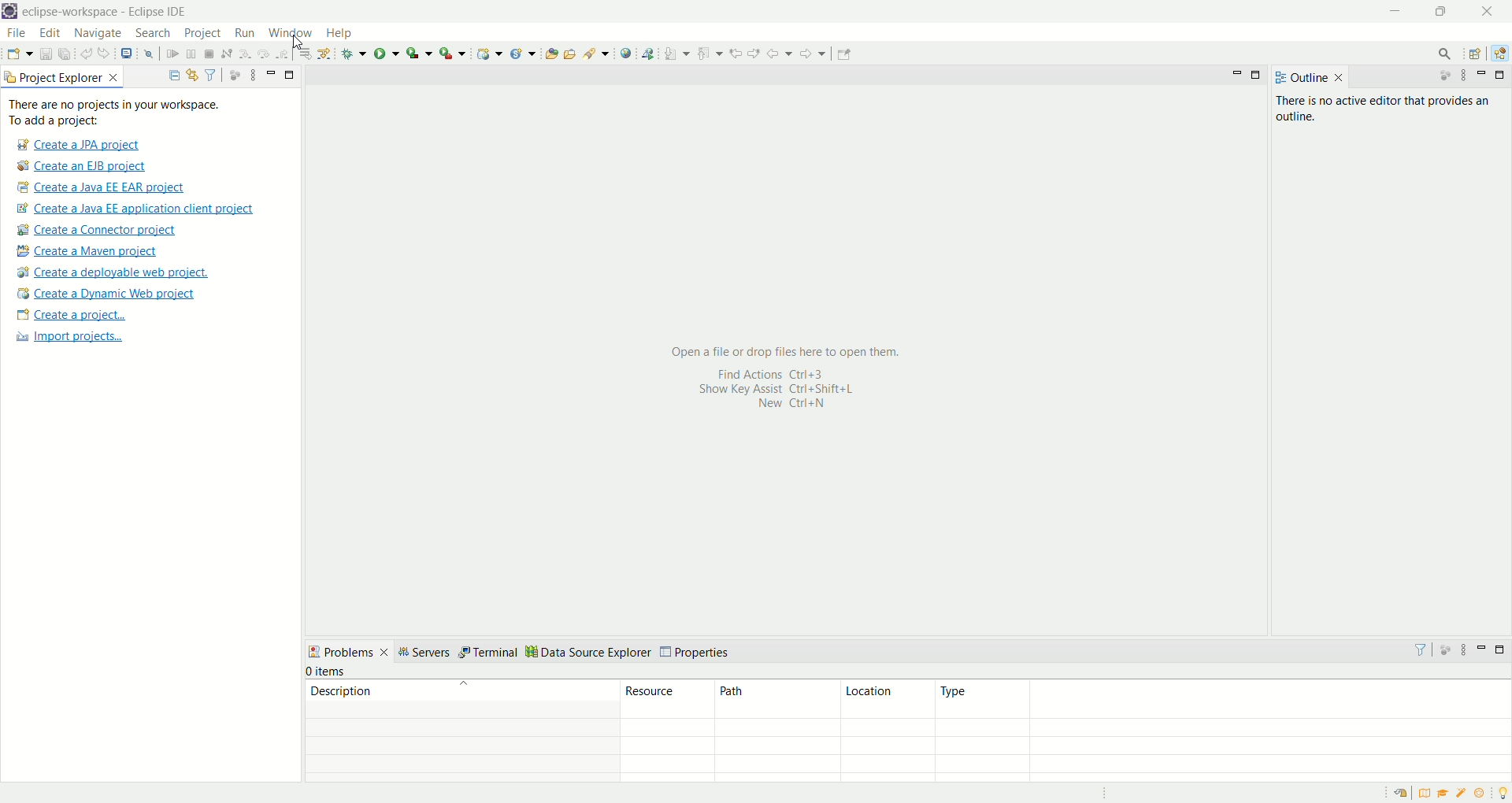  I want to click on maximize, so click(1503, 75).